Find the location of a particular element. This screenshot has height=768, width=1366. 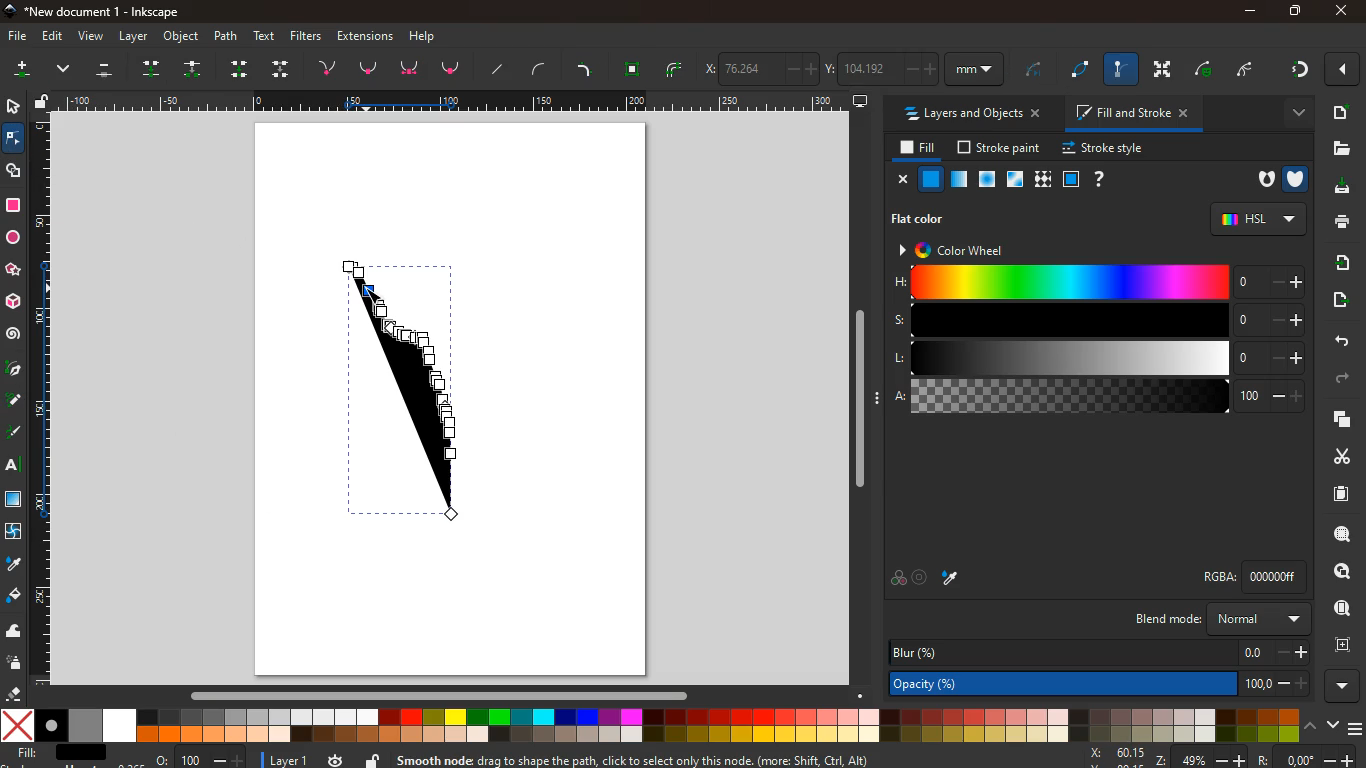

rgba is located at coordinates (1258, 576).